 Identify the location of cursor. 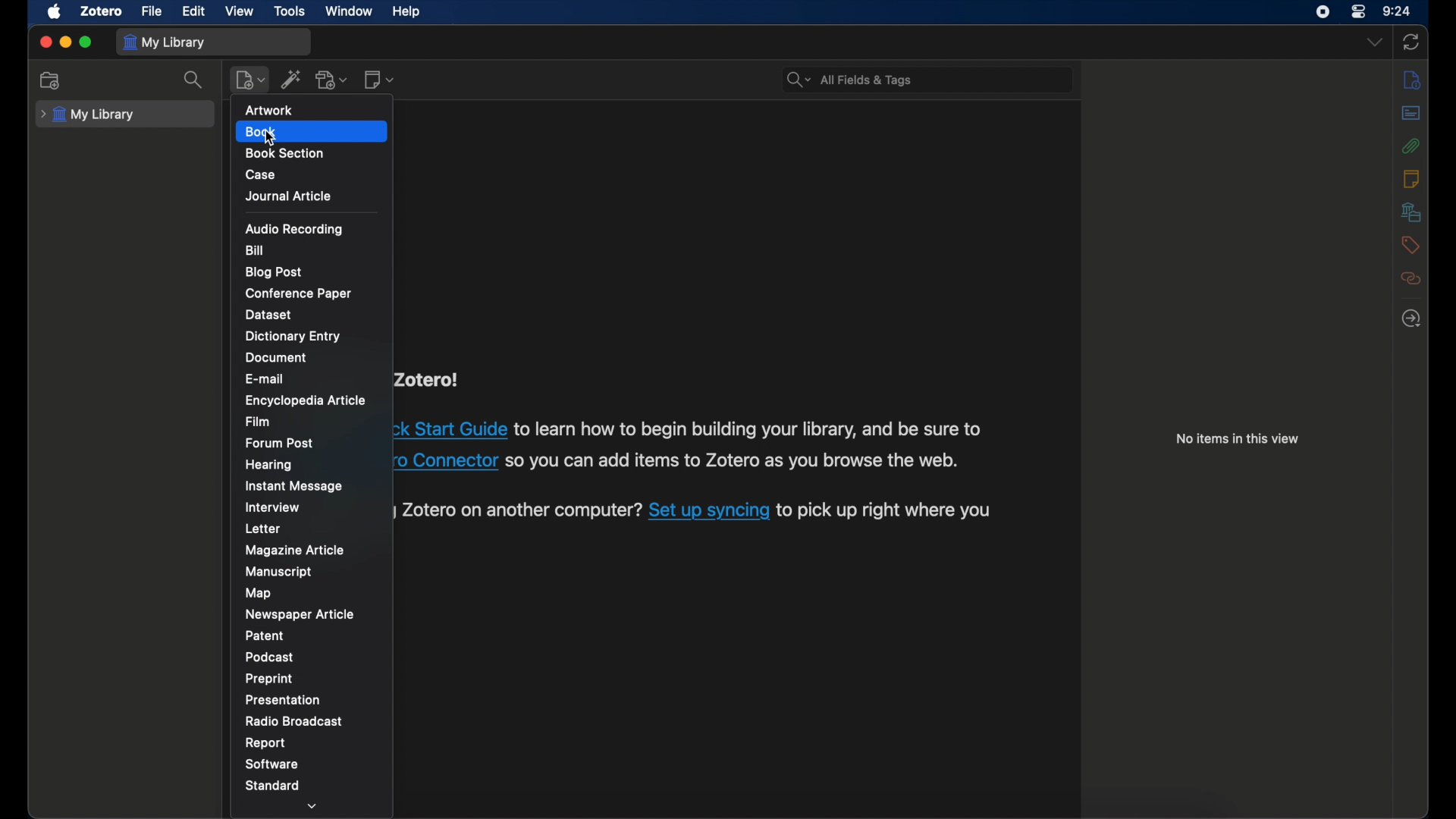
(270, 138).